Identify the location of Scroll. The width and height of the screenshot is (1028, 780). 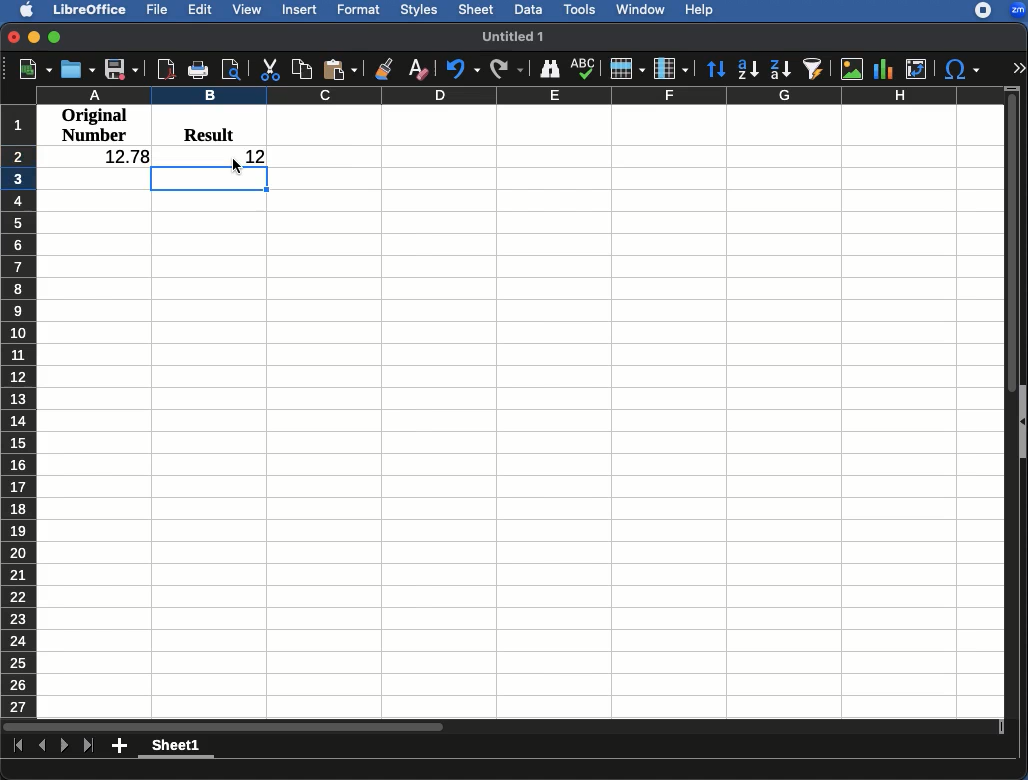
(1013, 400).